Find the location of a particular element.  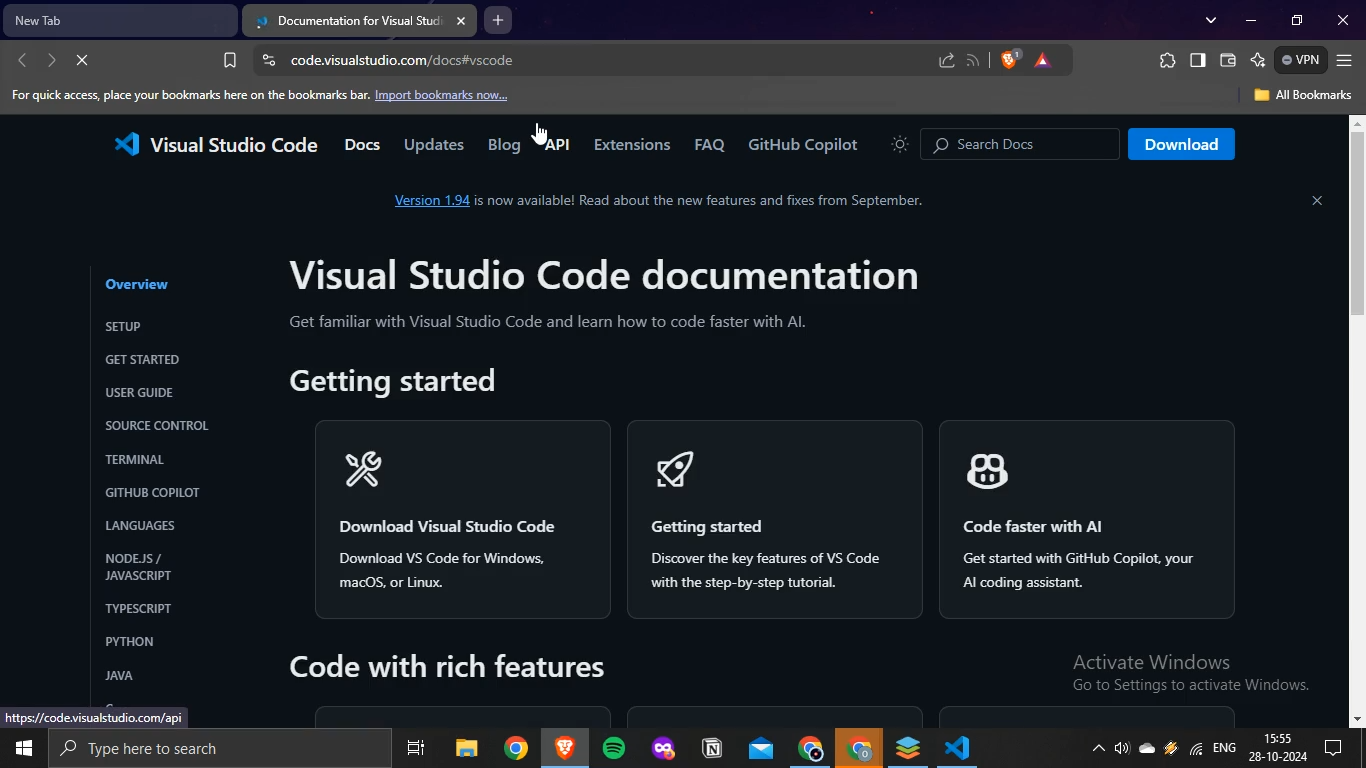

xR

Download Visual Studio Code
Download VS Code for Windows,
macOs, or Linux. is located at coordinates (462, 522).